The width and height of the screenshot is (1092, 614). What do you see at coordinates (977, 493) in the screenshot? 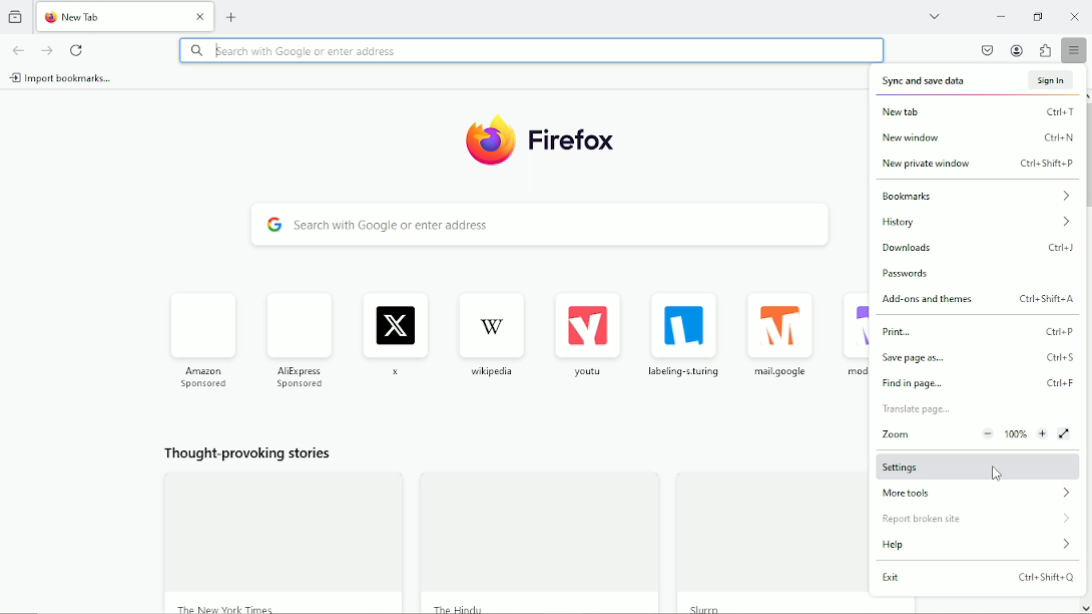
I see `More tools` at bounding box center [977, 493].